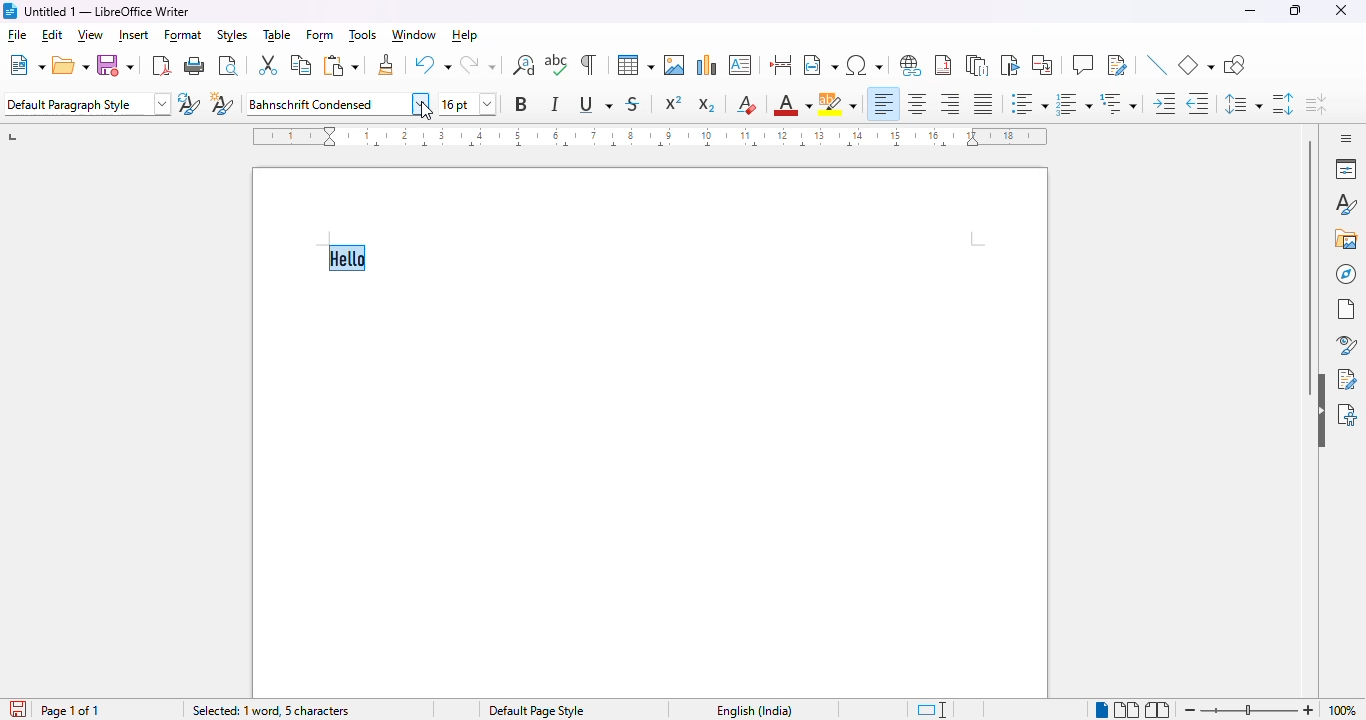  I want to click on insert special characters, so click(867, 65).